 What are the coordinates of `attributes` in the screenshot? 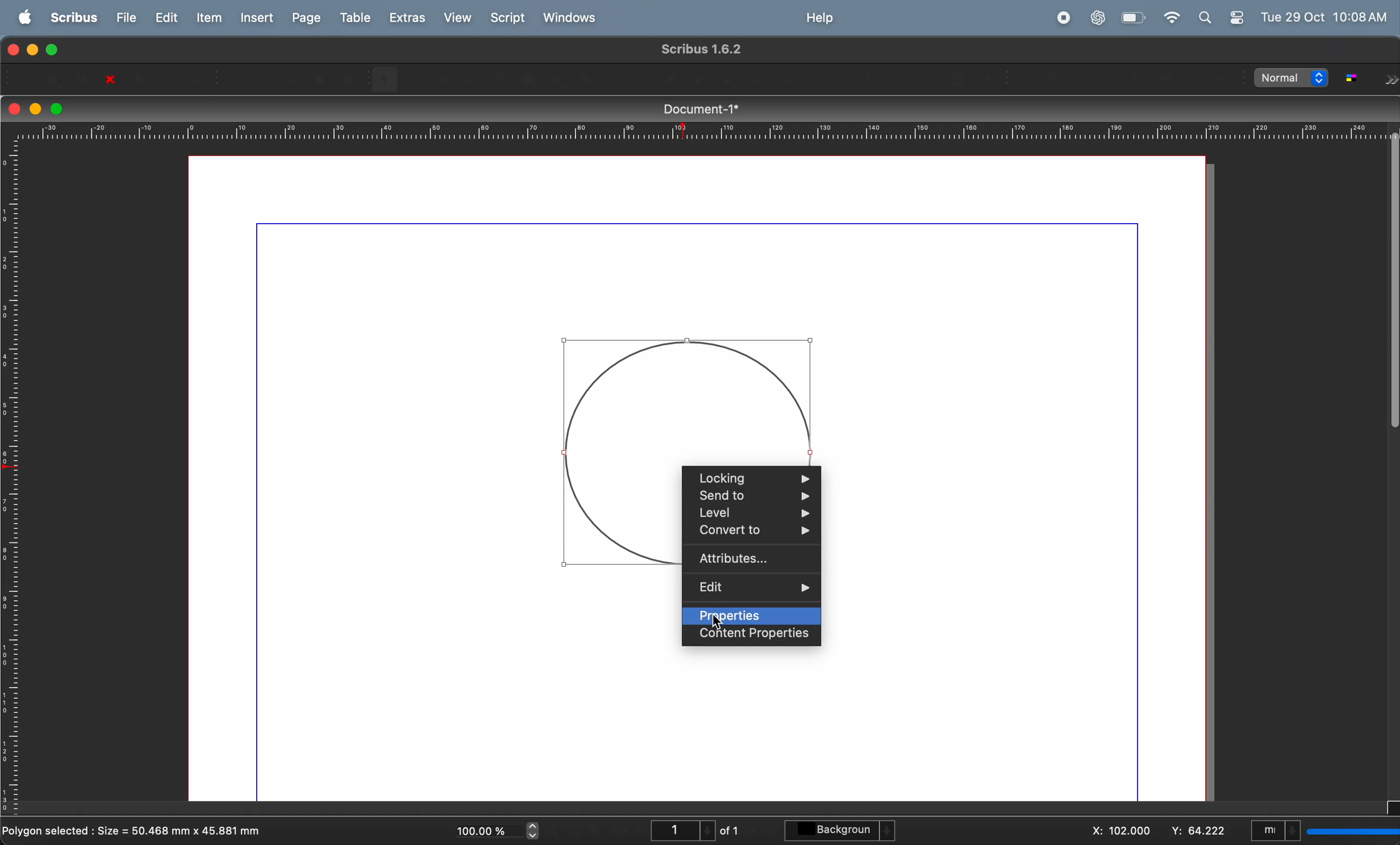 It's located at (744, 558).